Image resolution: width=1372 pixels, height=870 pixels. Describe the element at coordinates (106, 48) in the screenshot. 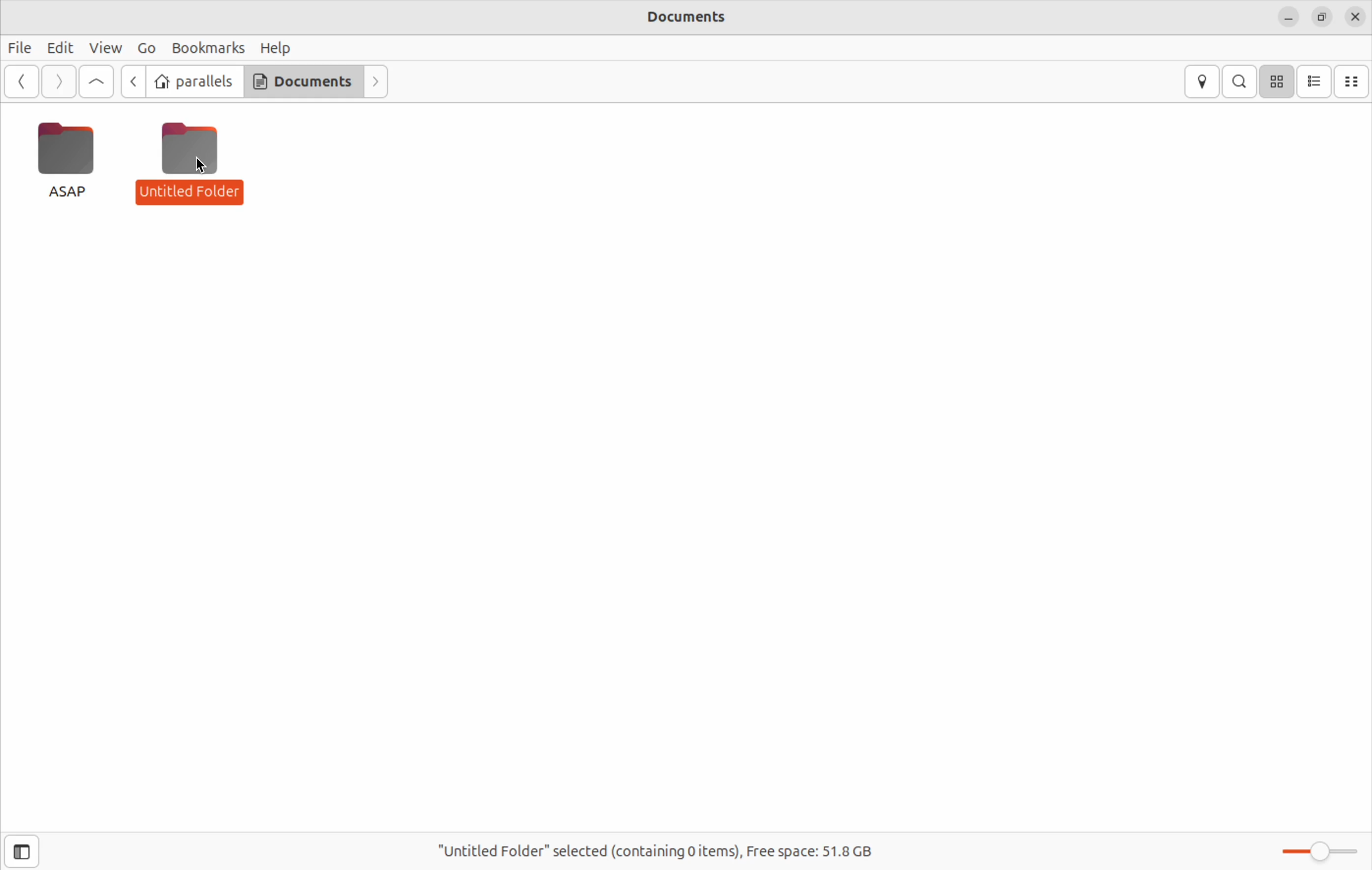

I see `View` at that location.